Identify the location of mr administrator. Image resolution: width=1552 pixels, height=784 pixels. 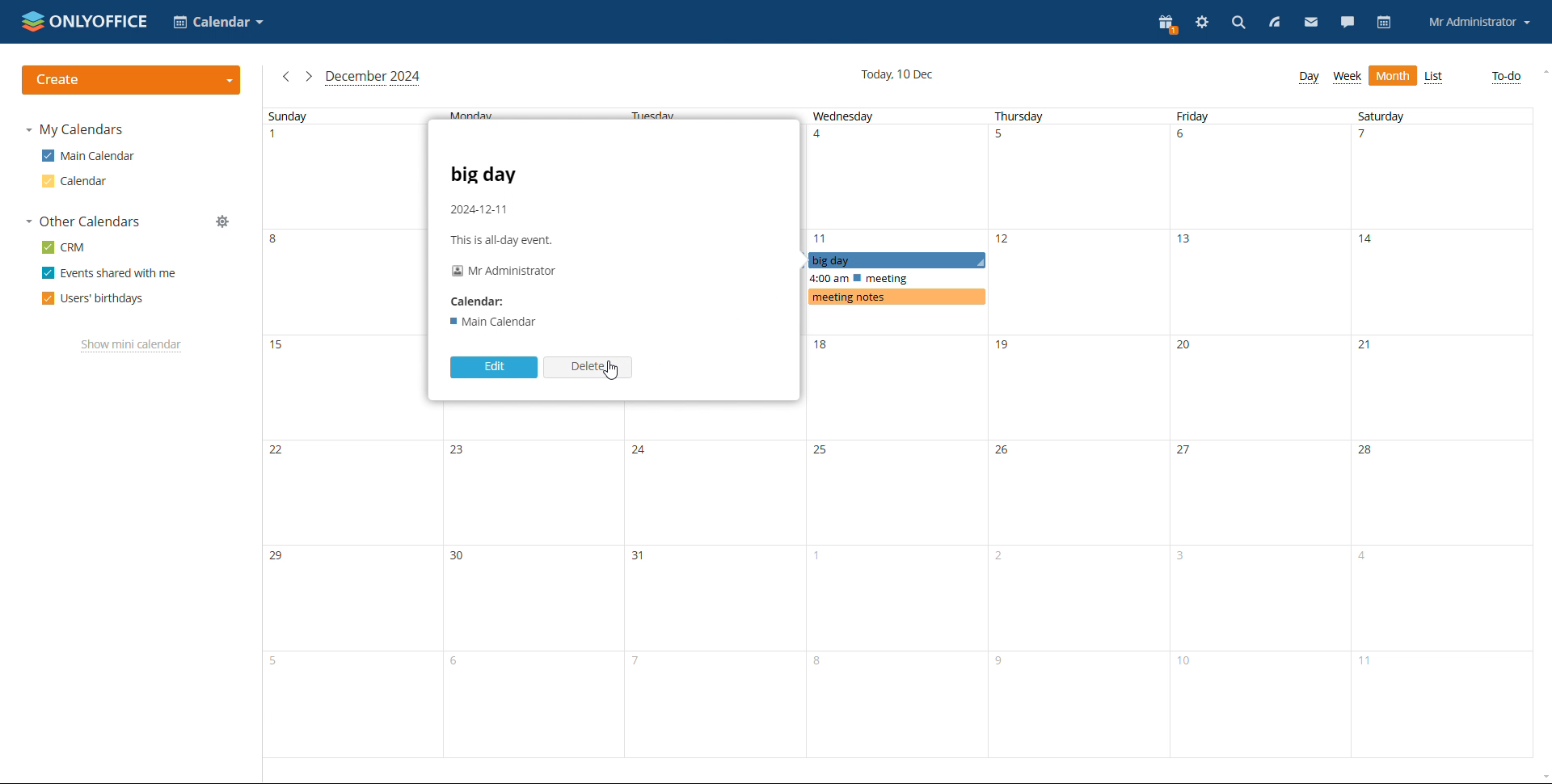
(507, 272).